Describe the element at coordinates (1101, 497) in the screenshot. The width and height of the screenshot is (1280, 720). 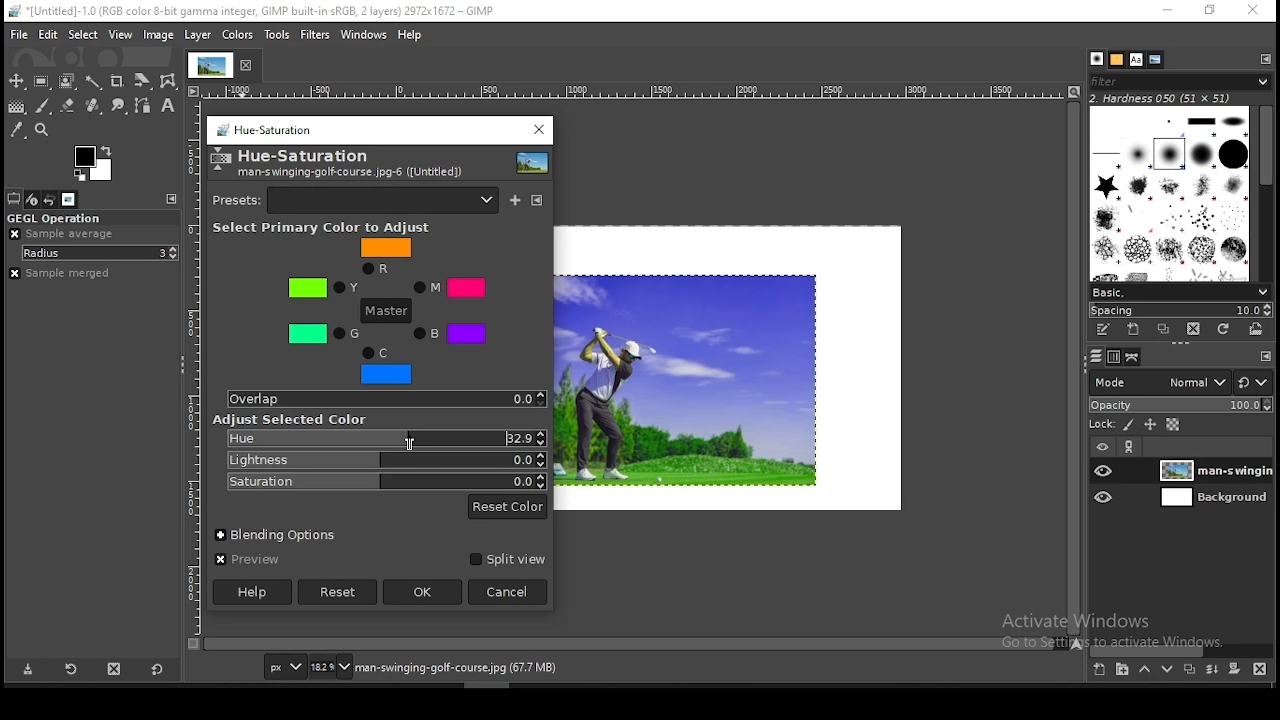
I see `layer visibility on/off` at that location.